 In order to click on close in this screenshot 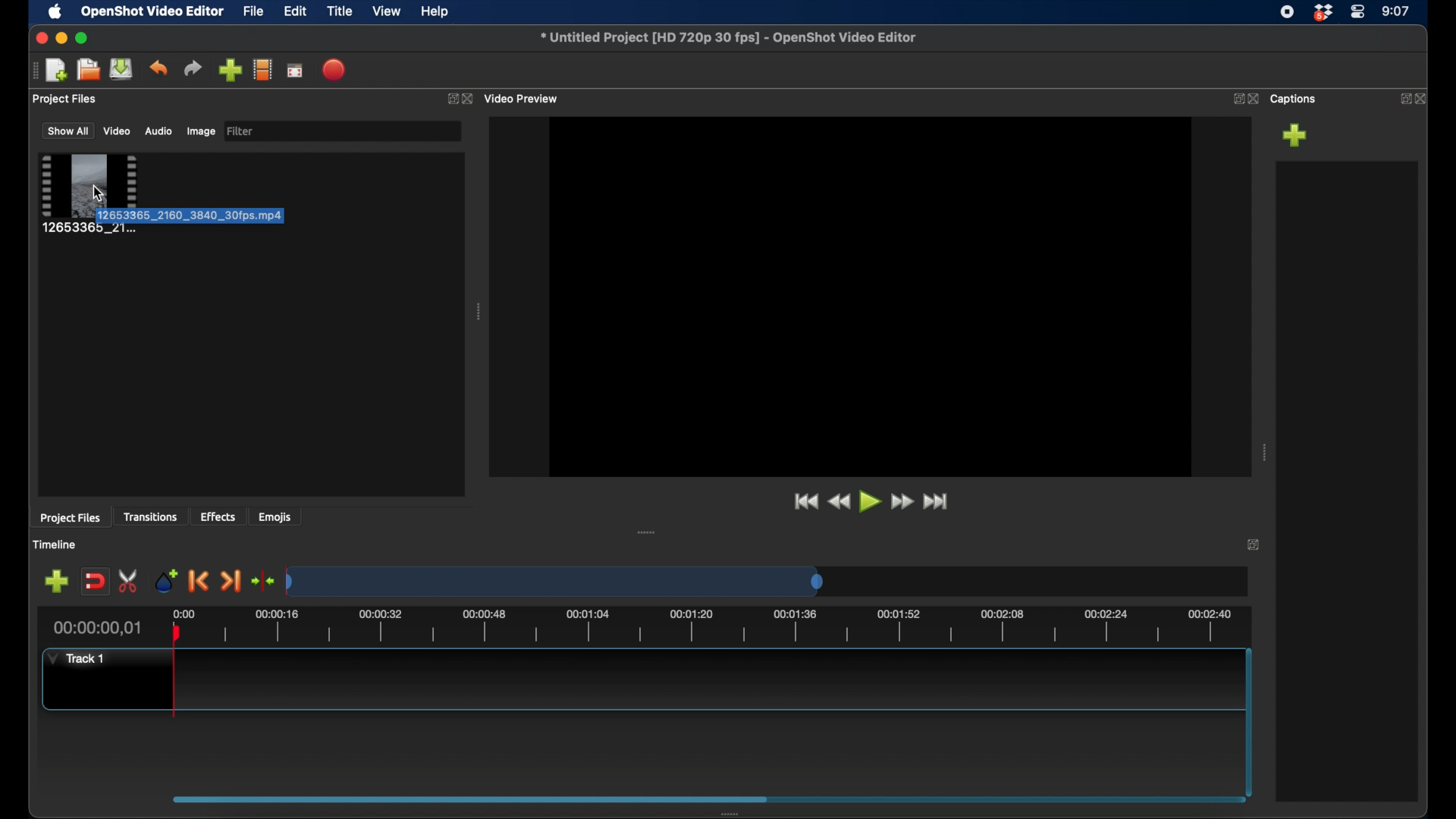, I will do `click(471, 98)`.